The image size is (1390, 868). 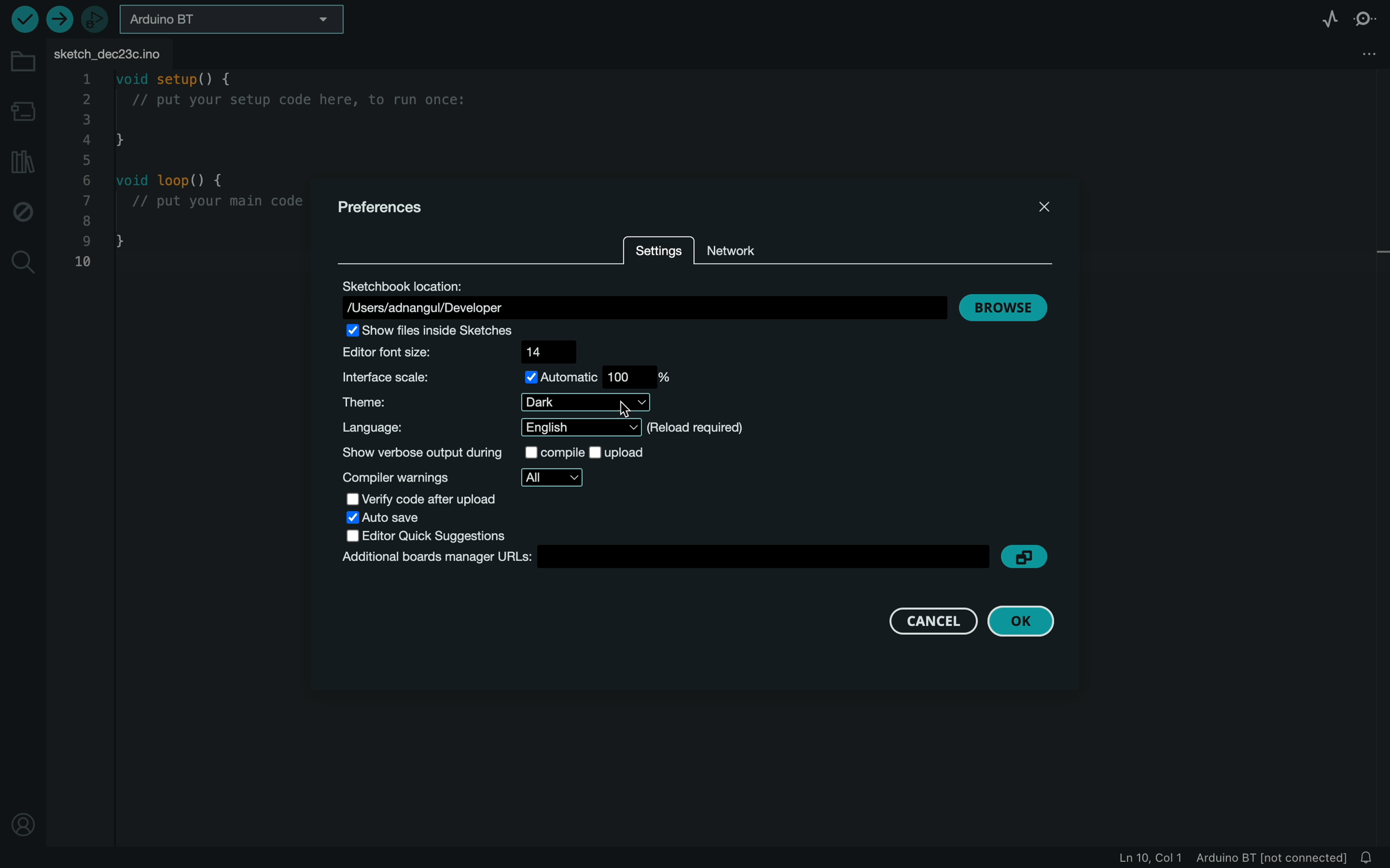 I want to click on file setting, so click(x=1368, y=53).